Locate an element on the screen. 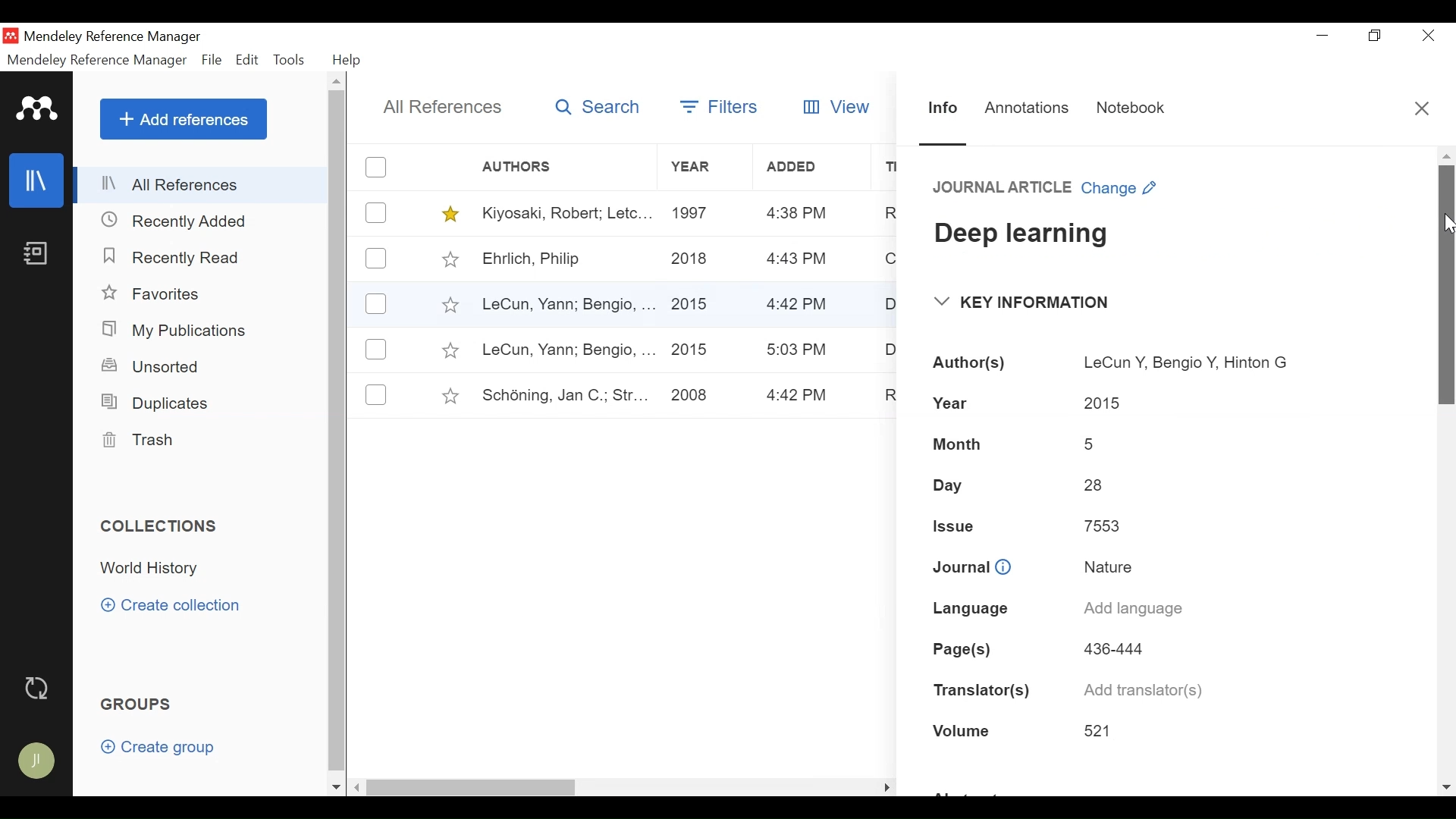 The width and height of the screenshot is (1456, 819). (un)select is located at coordinates (375, 349).